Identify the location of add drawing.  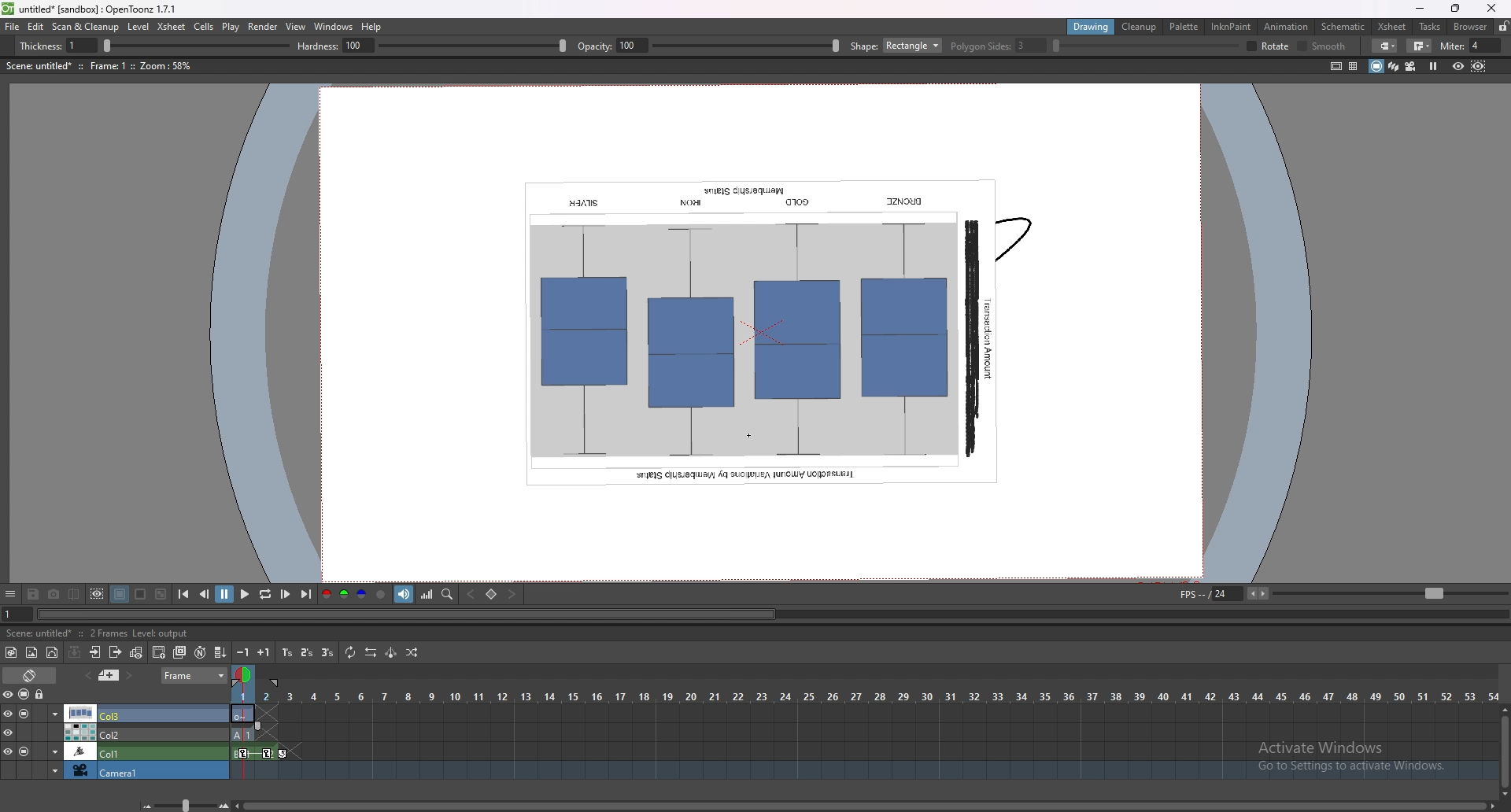
(160, 651).